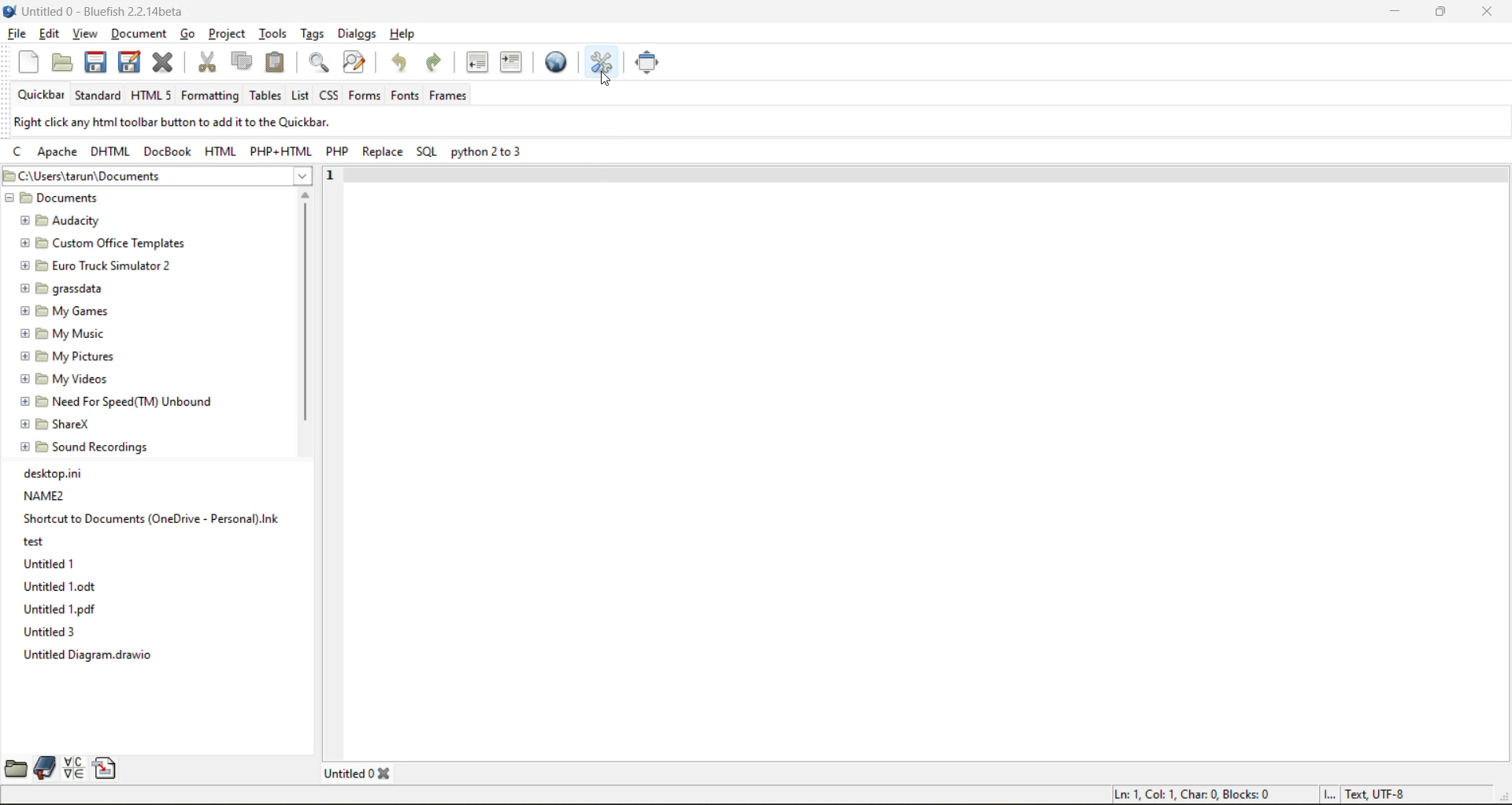 The width and height of the screenshot is (1512, 805). I want to click on quickbar, so click(43, 95).